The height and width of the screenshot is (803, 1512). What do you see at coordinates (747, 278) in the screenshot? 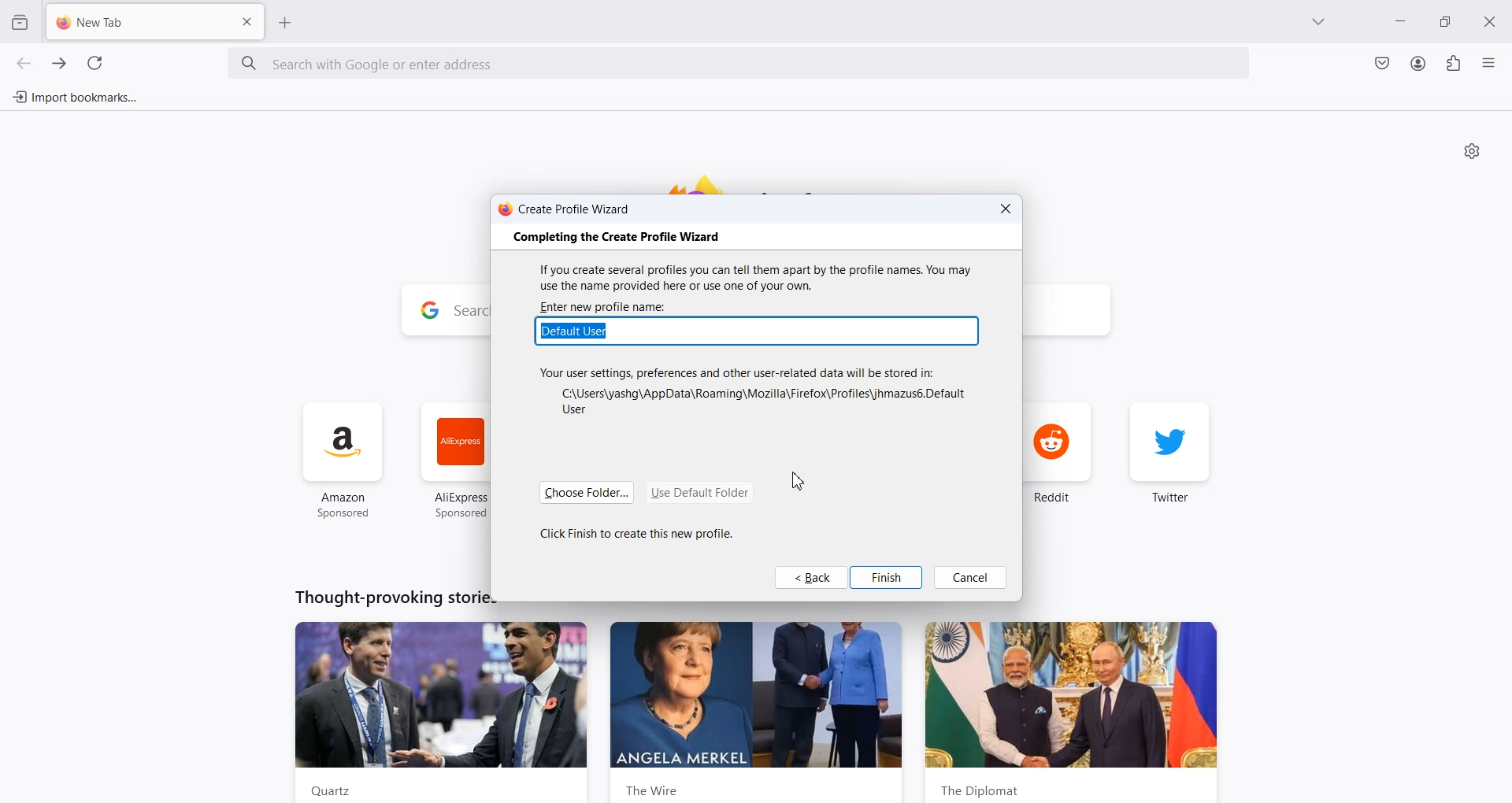
I see `If you create several profiles you can tell them apart by the profile names. You may
use the name provided here or use one of your own.` at bounding box center [747, 278].